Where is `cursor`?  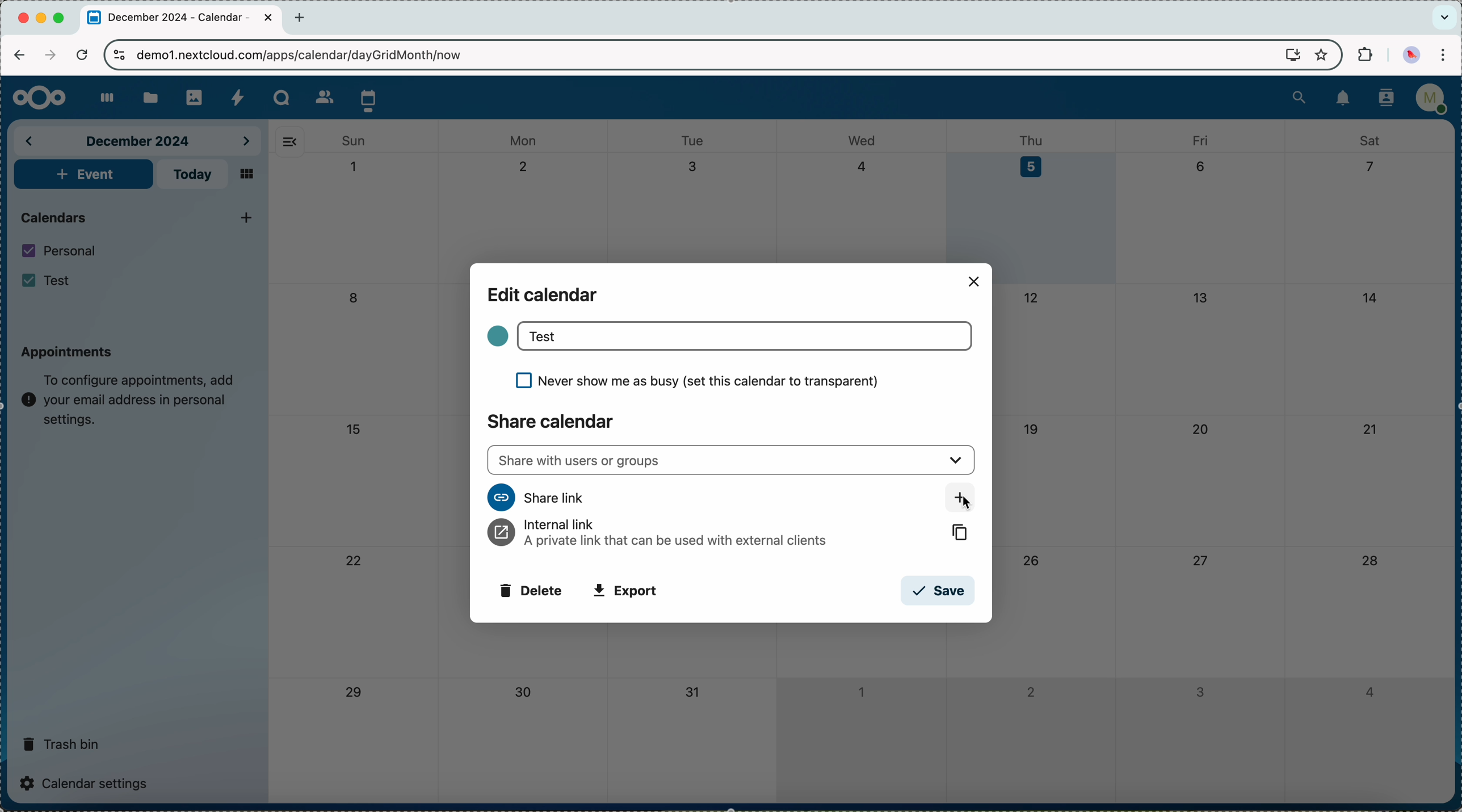
cursor is located at coordinates (970, 506).